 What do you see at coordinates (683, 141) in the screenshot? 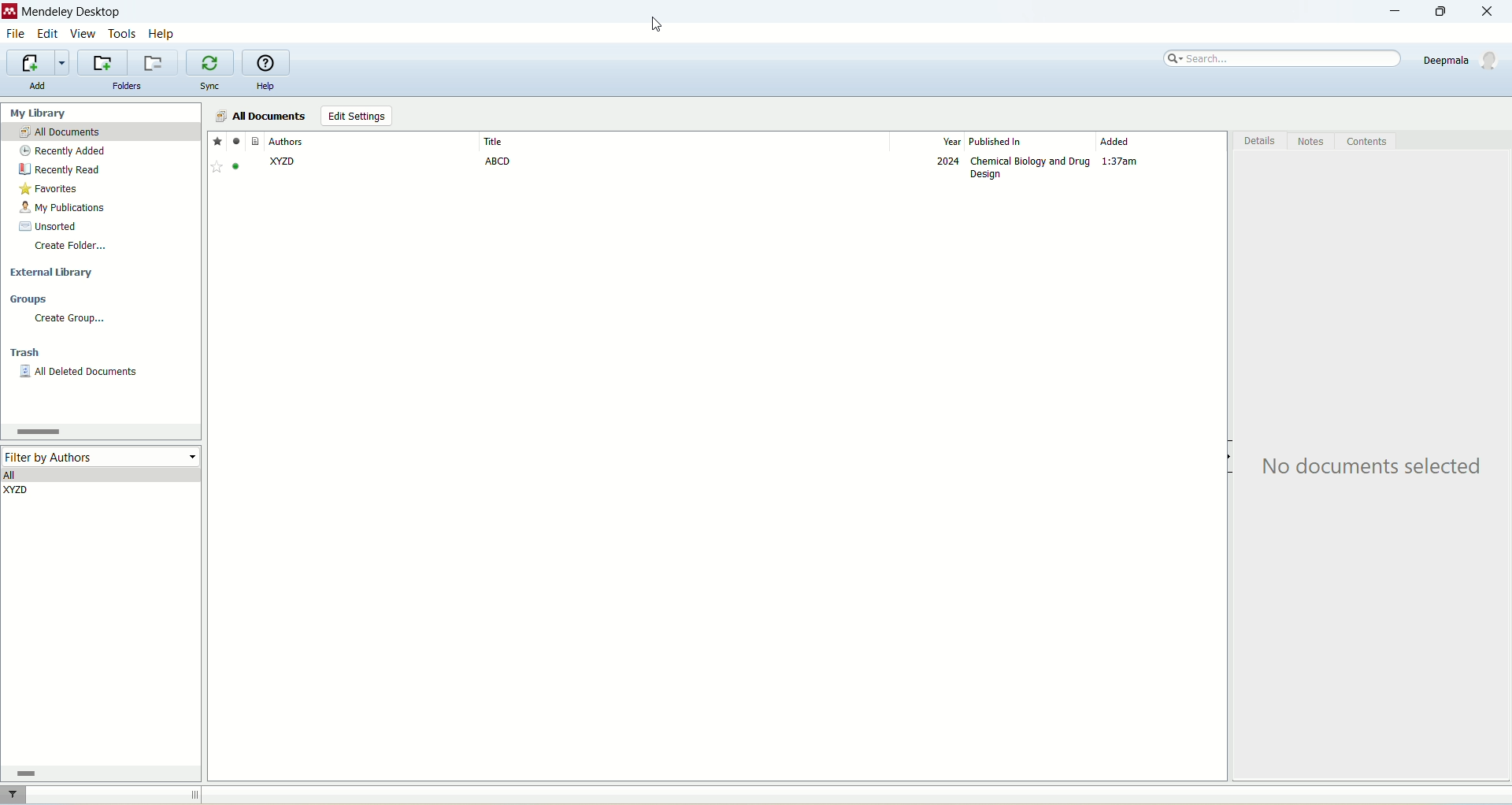
I see `title` at bounding box center [683, 141].